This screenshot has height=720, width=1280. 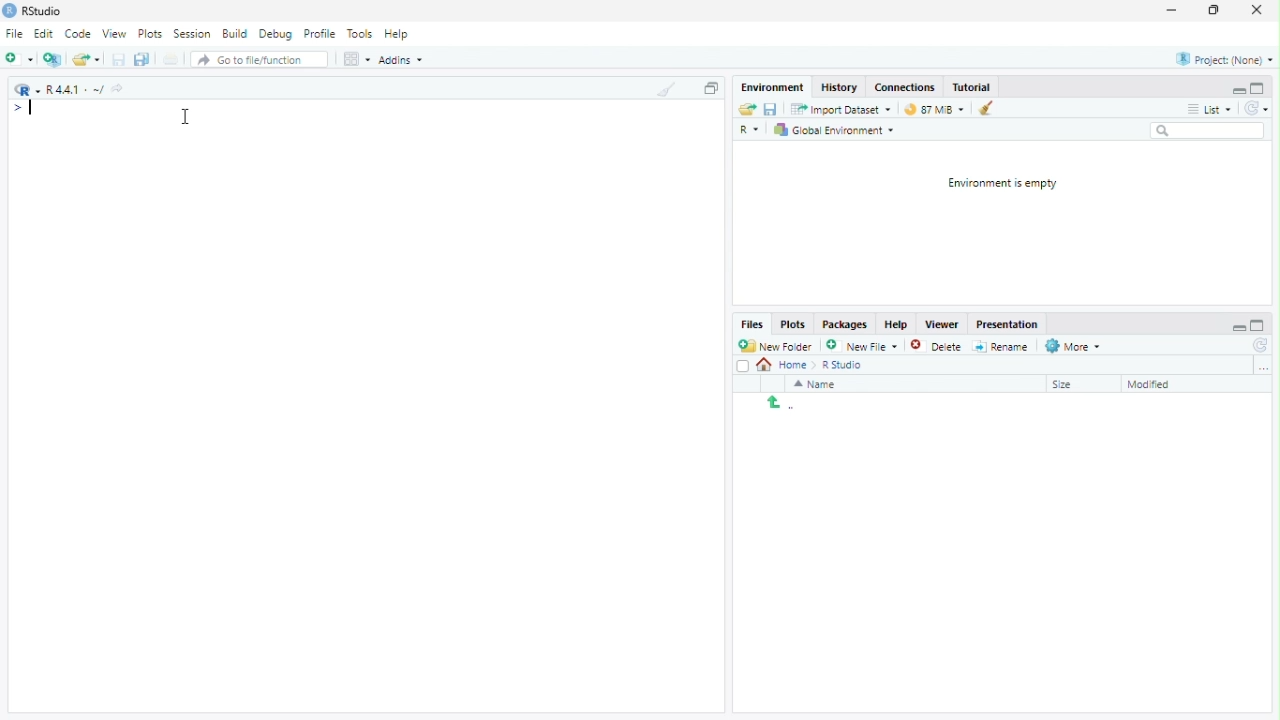 What do you see at coordinates (360, 34) in the screenshot?
I see `Tools` at bounding box center [360, 34].